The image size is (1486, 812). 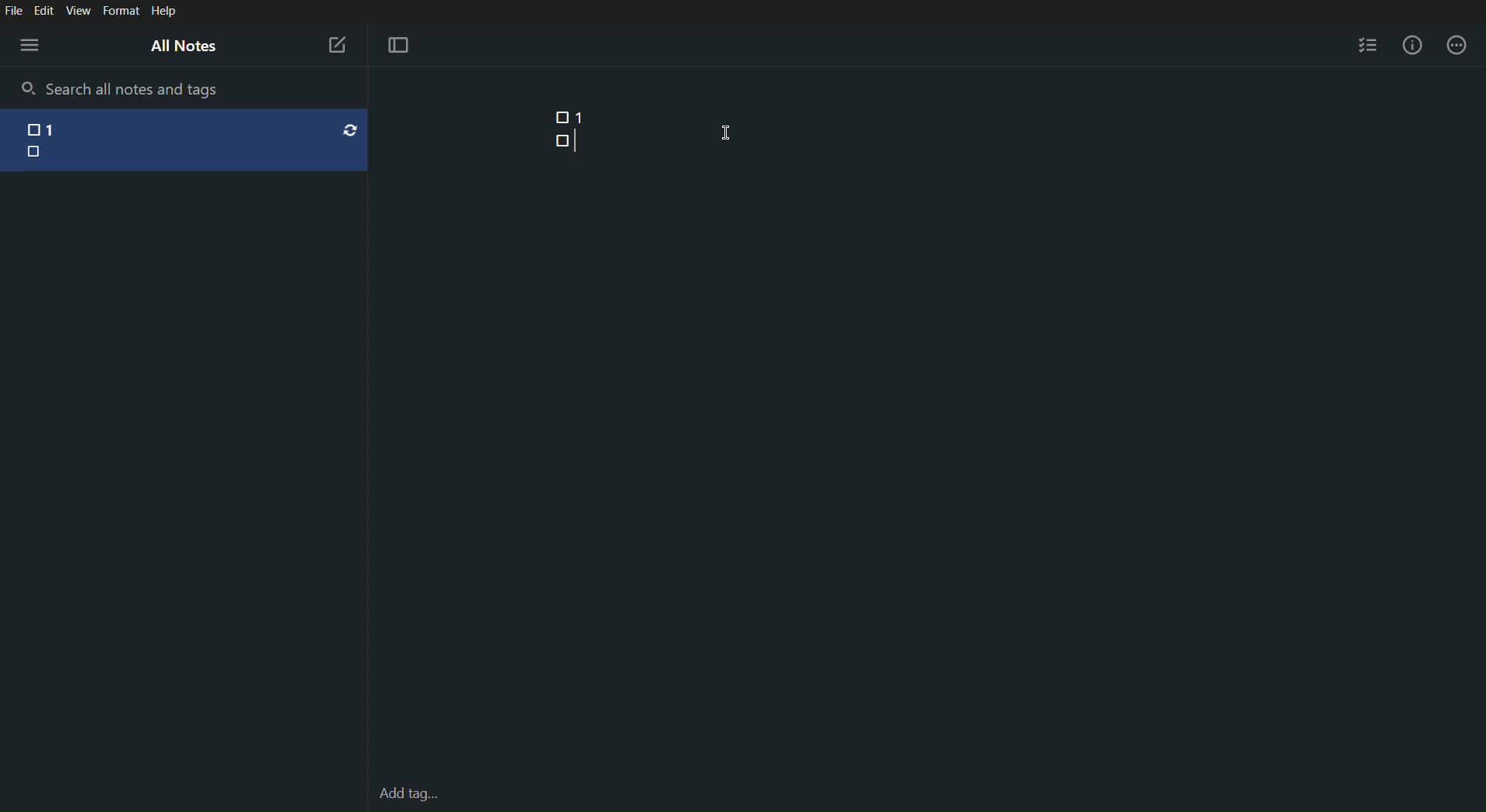 What do you see at coordinates (182, 45) in the screenshot?
I see `All Notes` at bounding box center [182, 45].